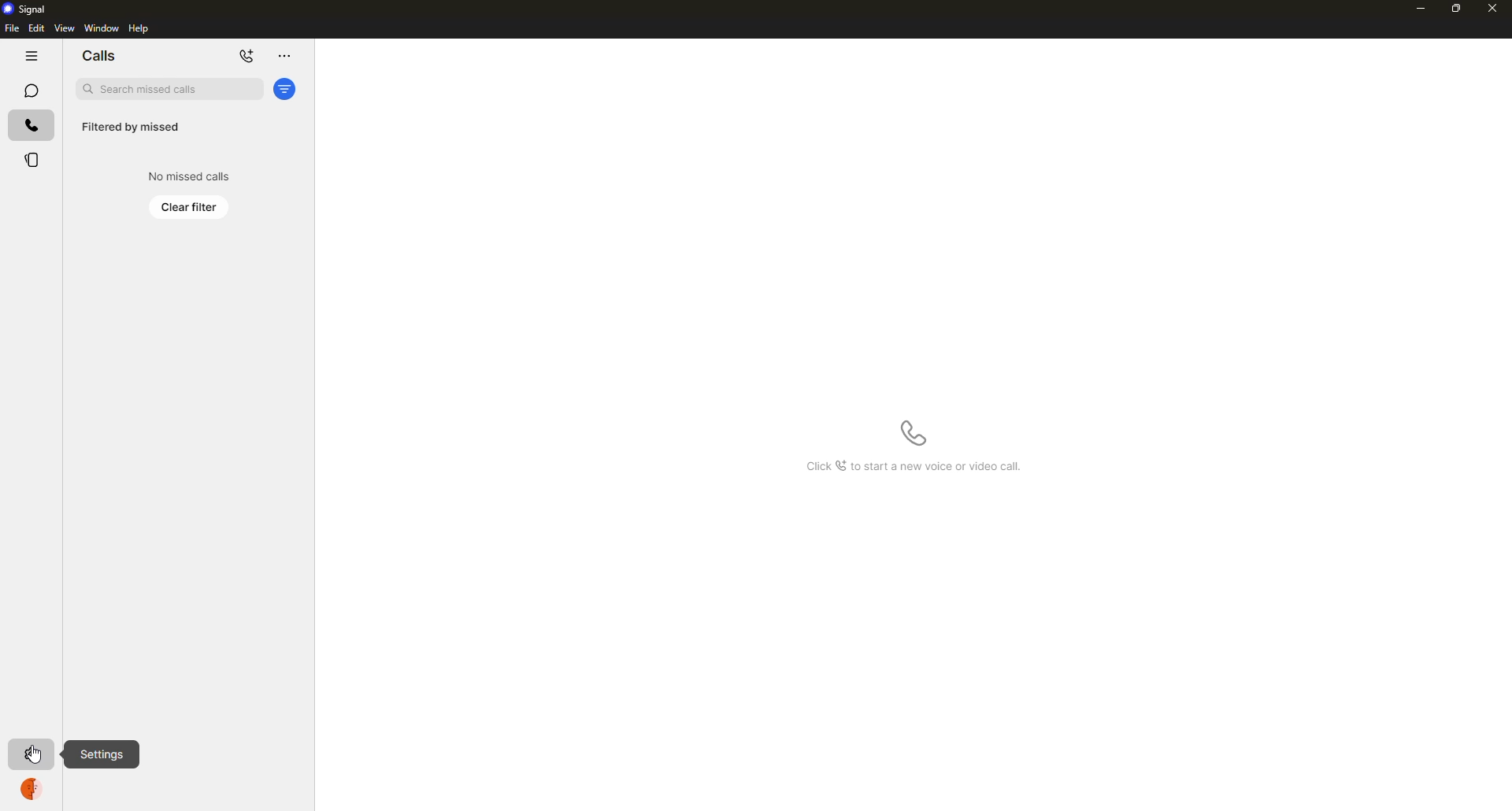 The width and height of the screenshot is (1512, 811). Describe the element at coordinates (34, 755) in the screenshot. I see `cursor` at that location.